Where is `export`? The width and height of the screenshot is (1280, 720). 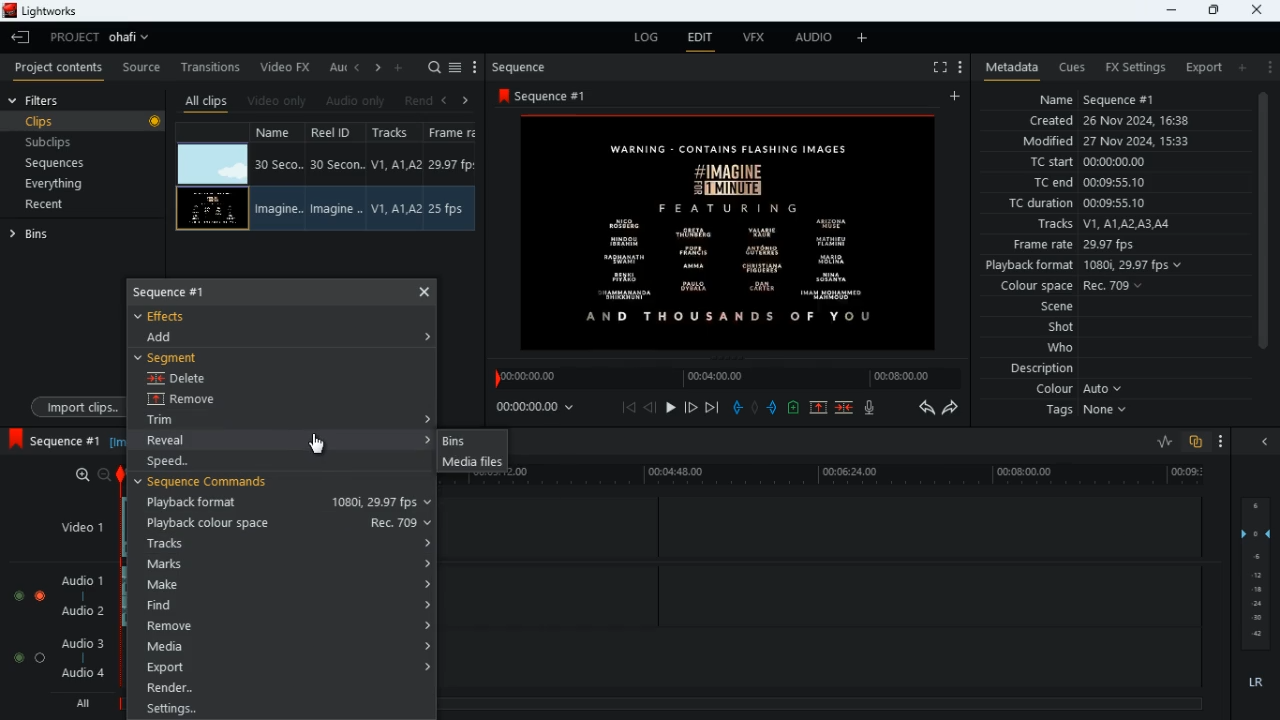 export is located at coordinates (1200, 67).